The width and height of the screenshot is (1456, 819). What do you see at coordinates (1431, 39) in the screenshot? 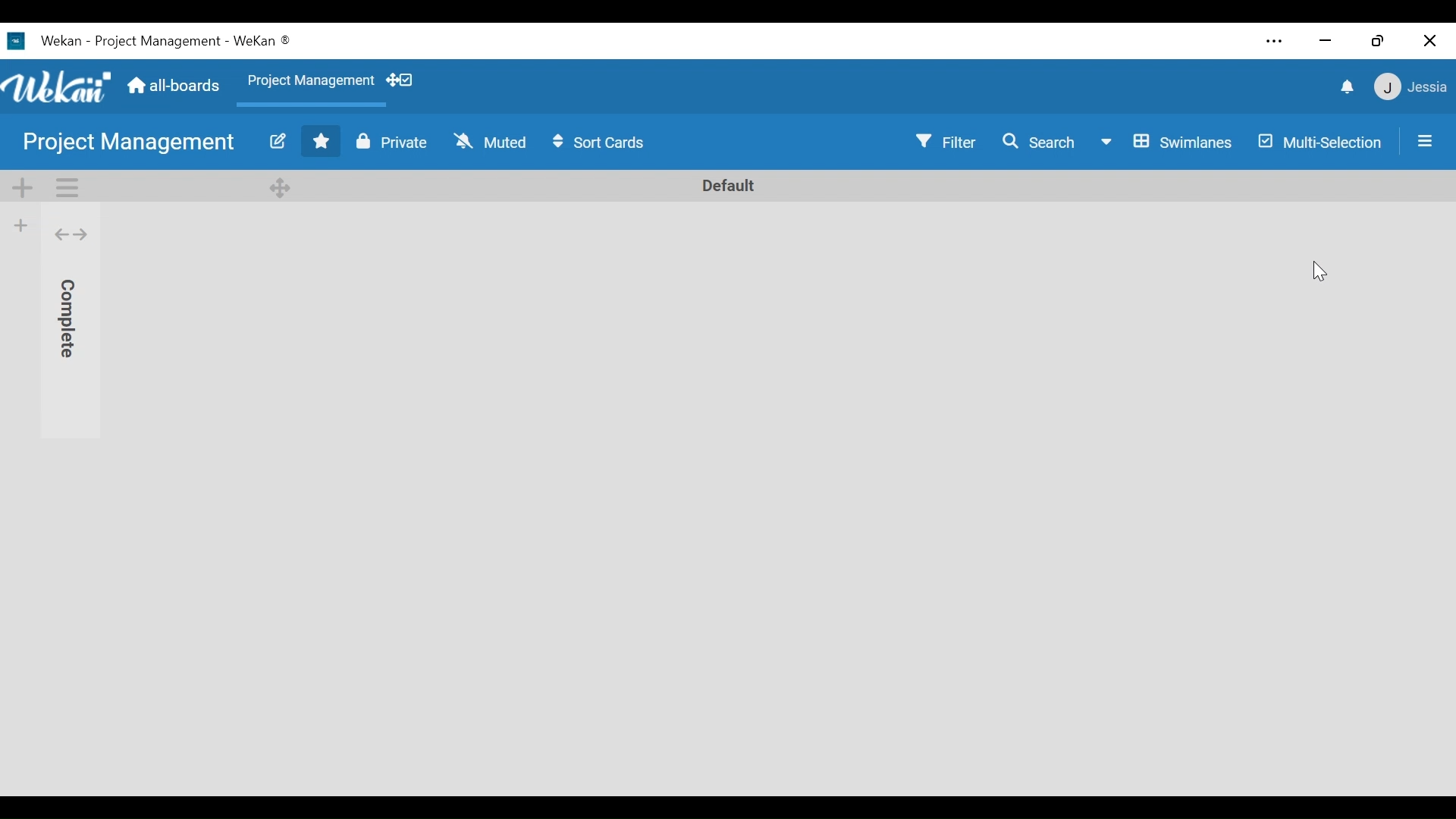
I see `Close` at bounding box center [1431, 39].